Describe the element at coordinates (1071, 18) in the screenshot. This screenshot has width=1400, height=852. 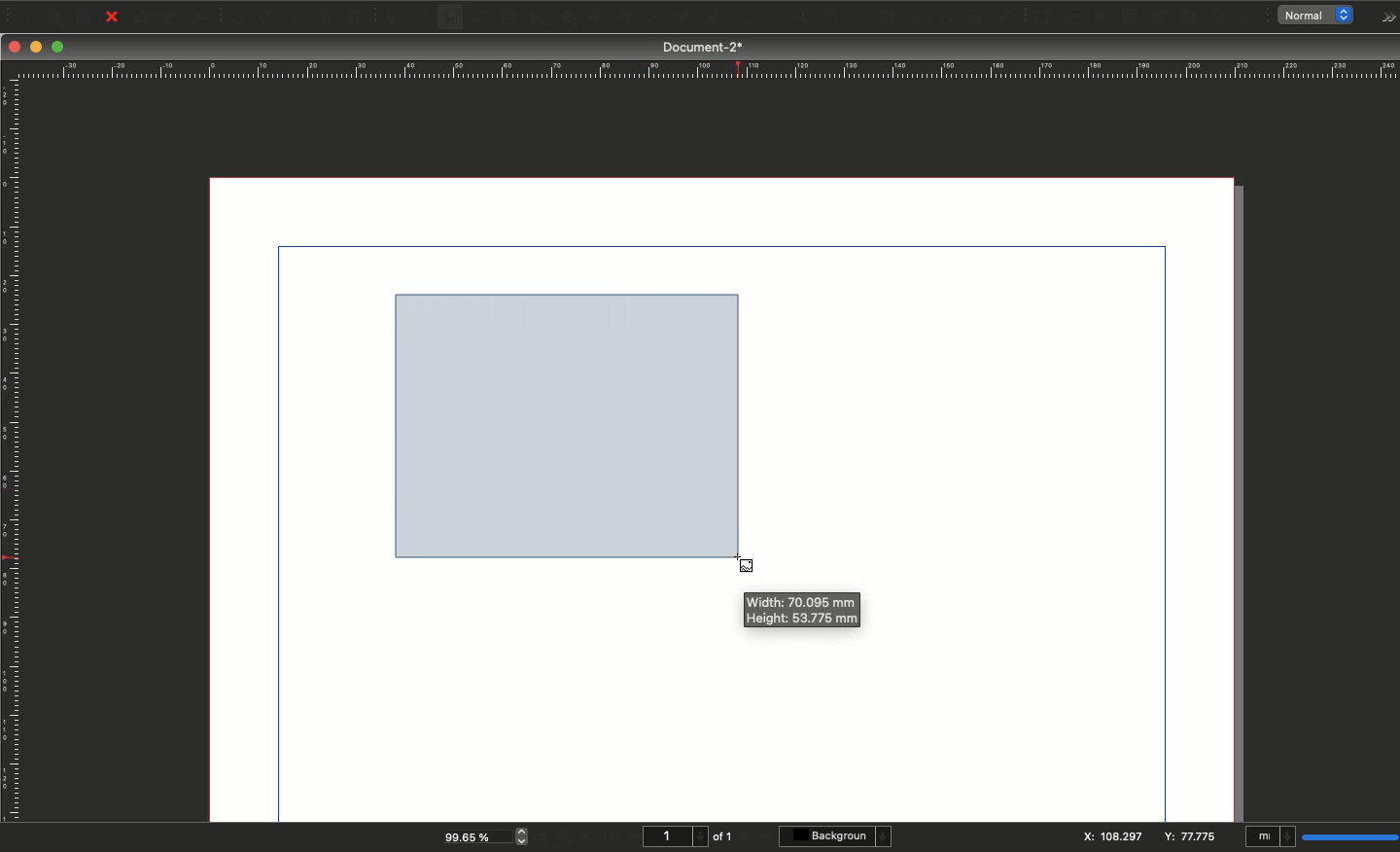
I see `PDF check box` at that location.